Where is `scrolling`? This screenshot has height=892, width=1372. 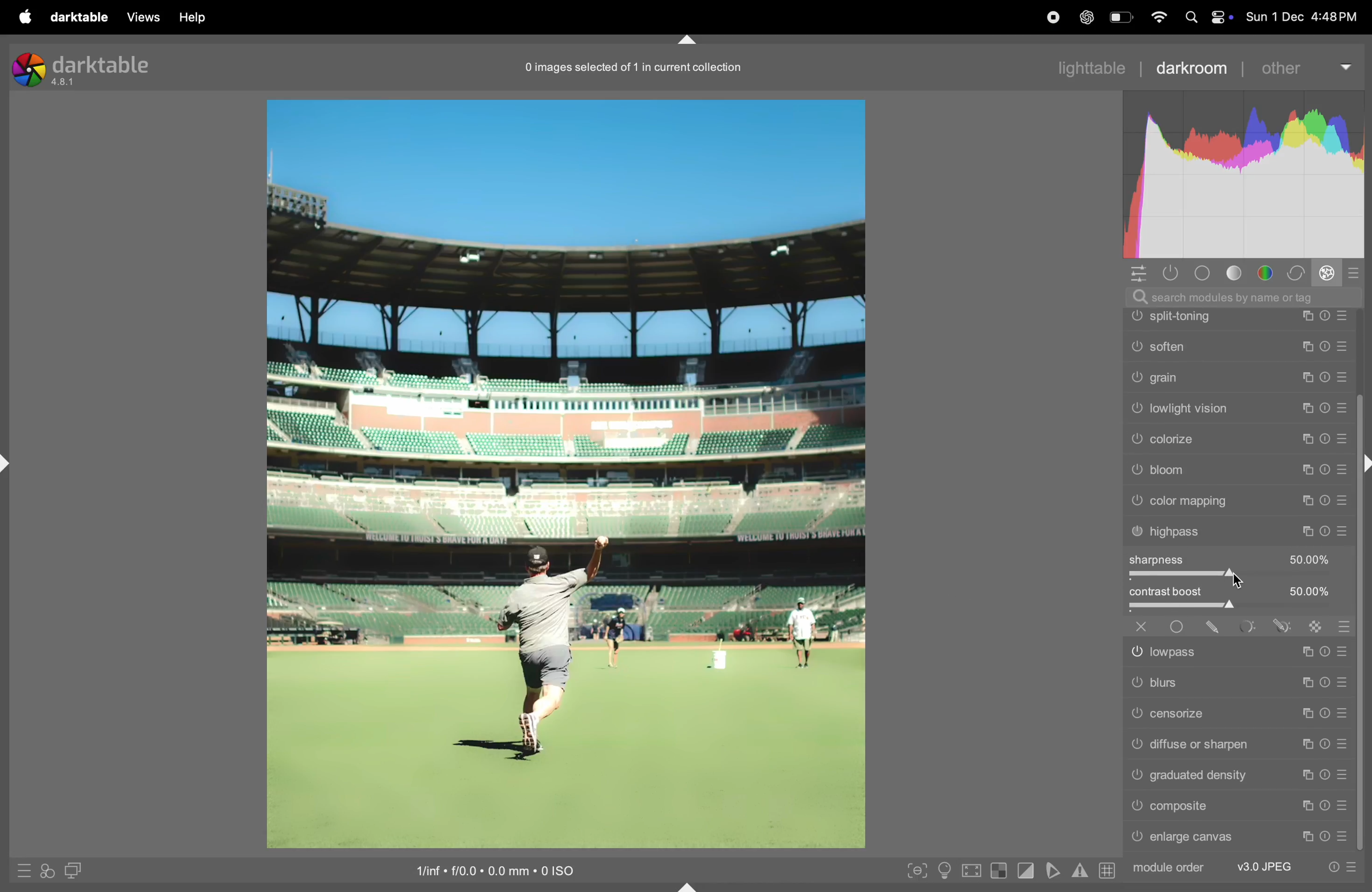
scrolling is located at coordinates (1238, 409).